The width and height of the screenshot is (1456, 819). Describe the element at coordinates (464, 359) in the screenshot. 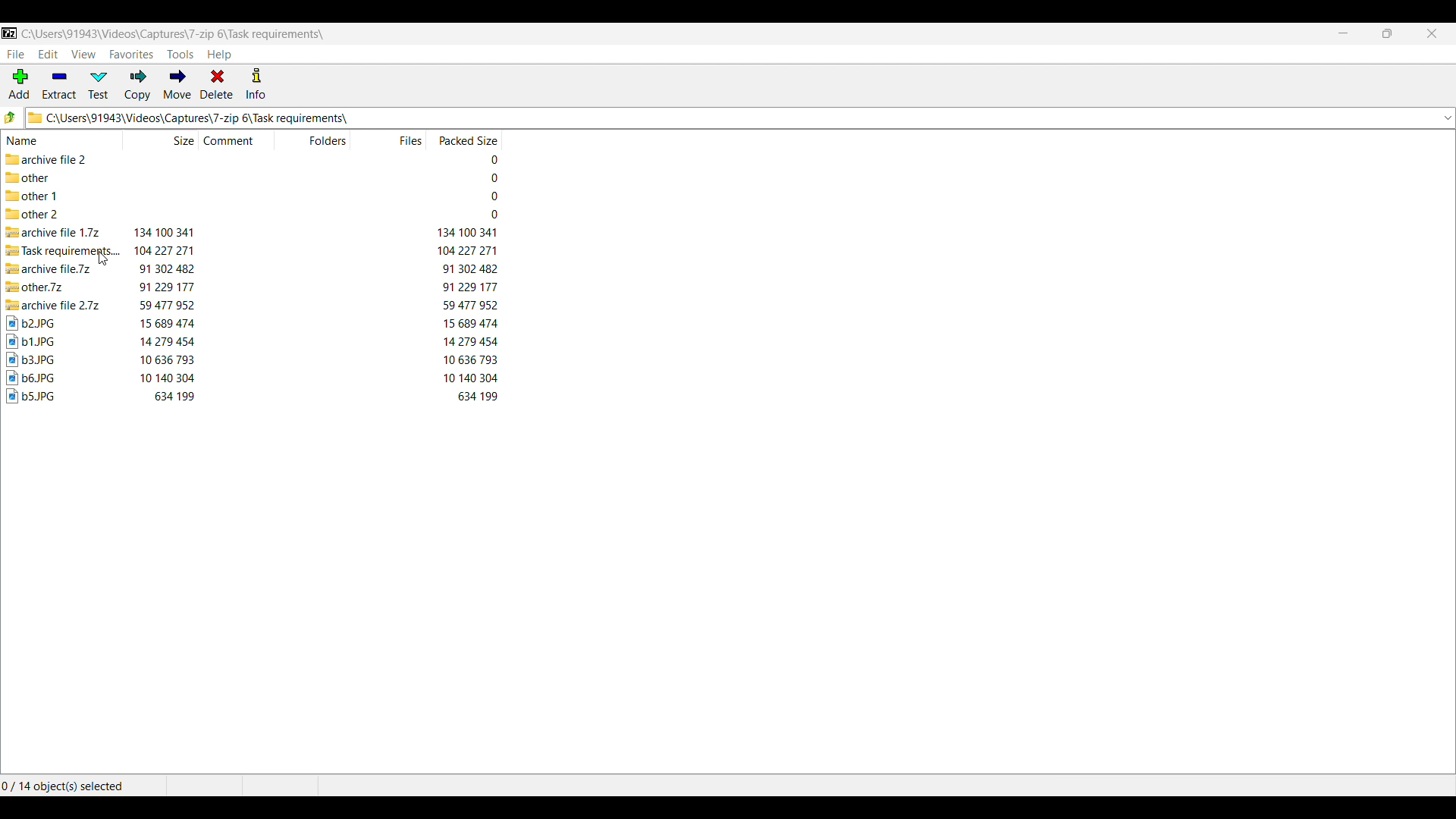

I see `packed size` at that location.